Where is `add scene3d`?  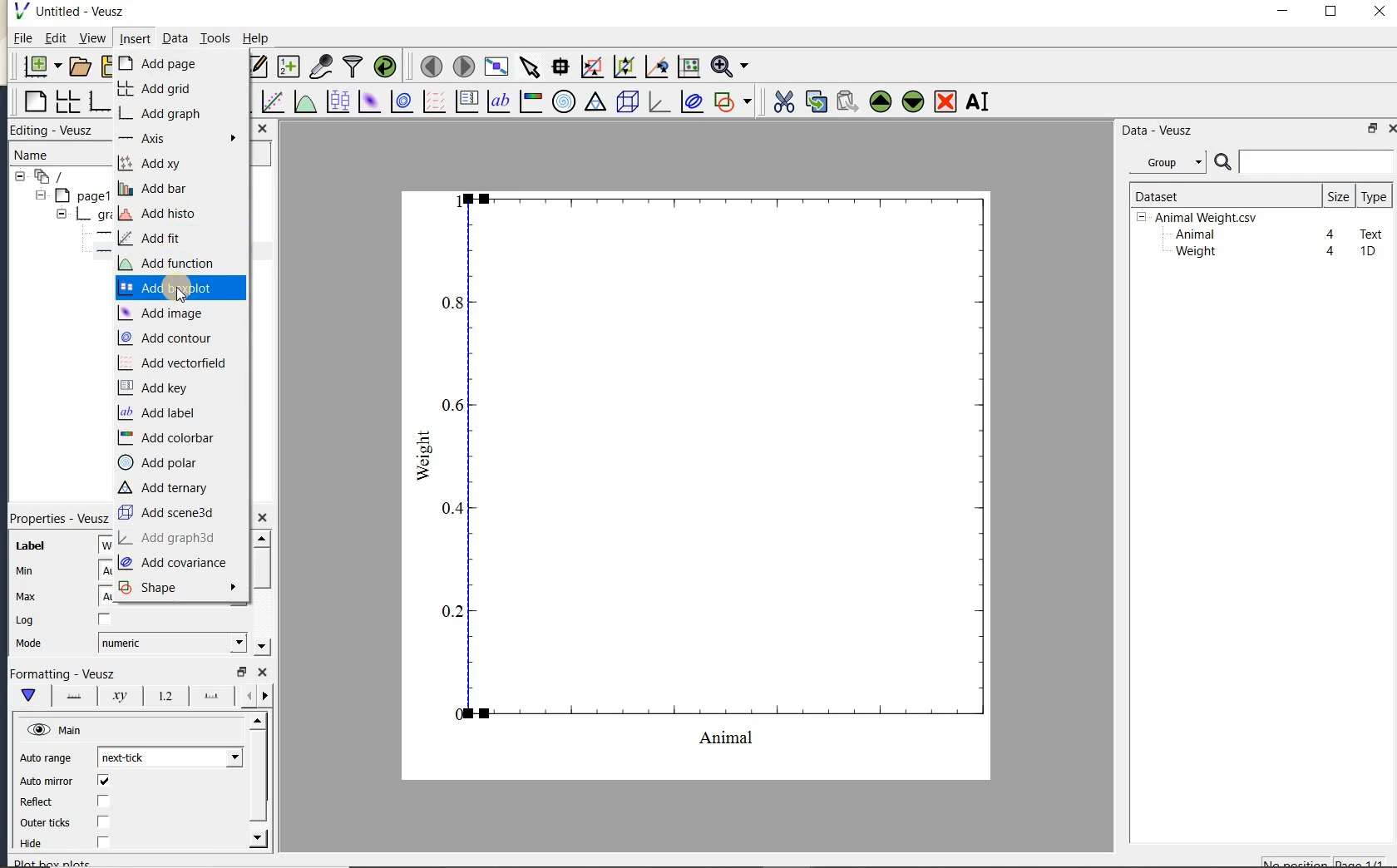
add scene3d is located at coordinates (170, 514).